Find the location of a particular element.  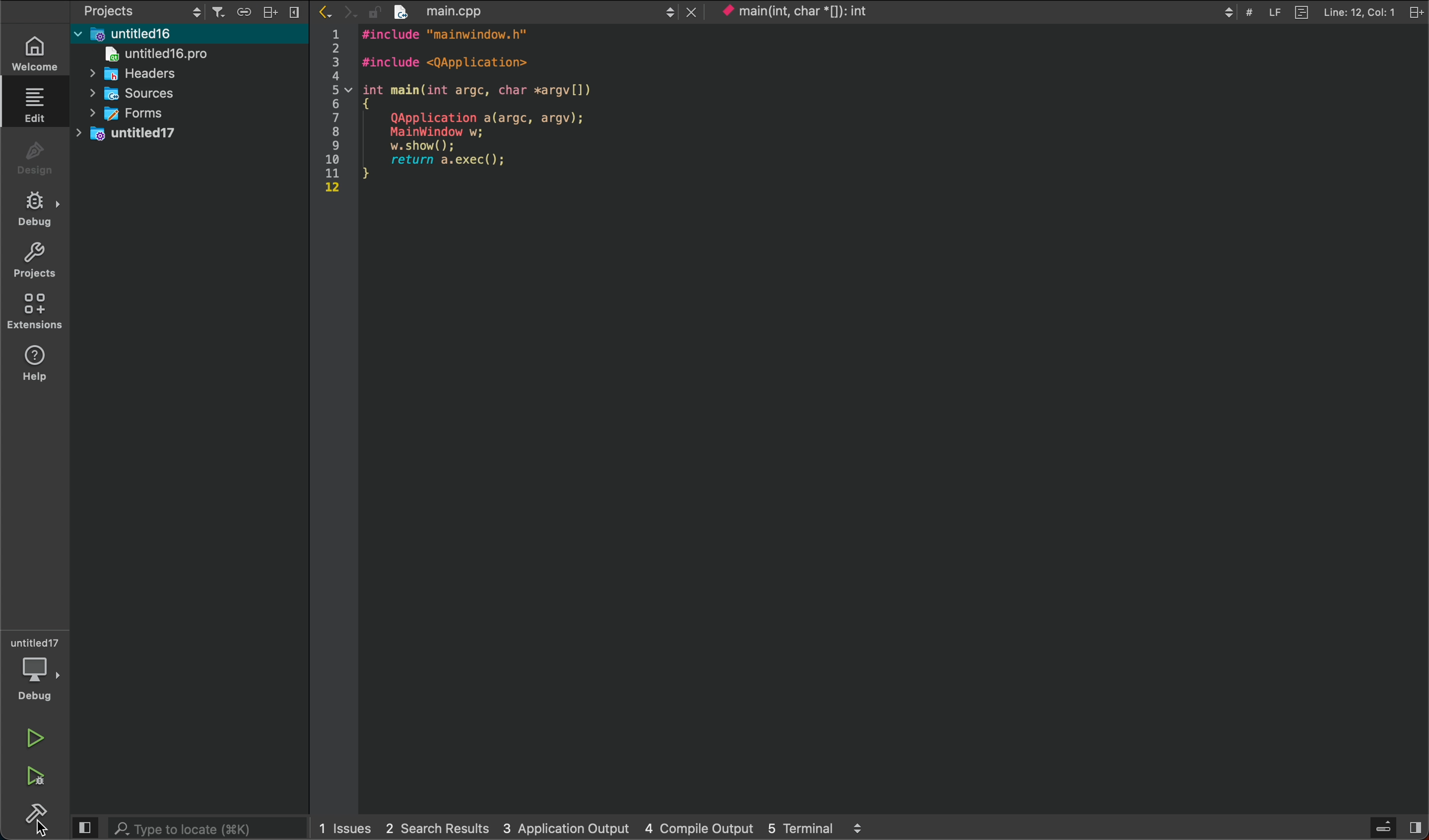

file settings  is located at coordinates (1417, 10).